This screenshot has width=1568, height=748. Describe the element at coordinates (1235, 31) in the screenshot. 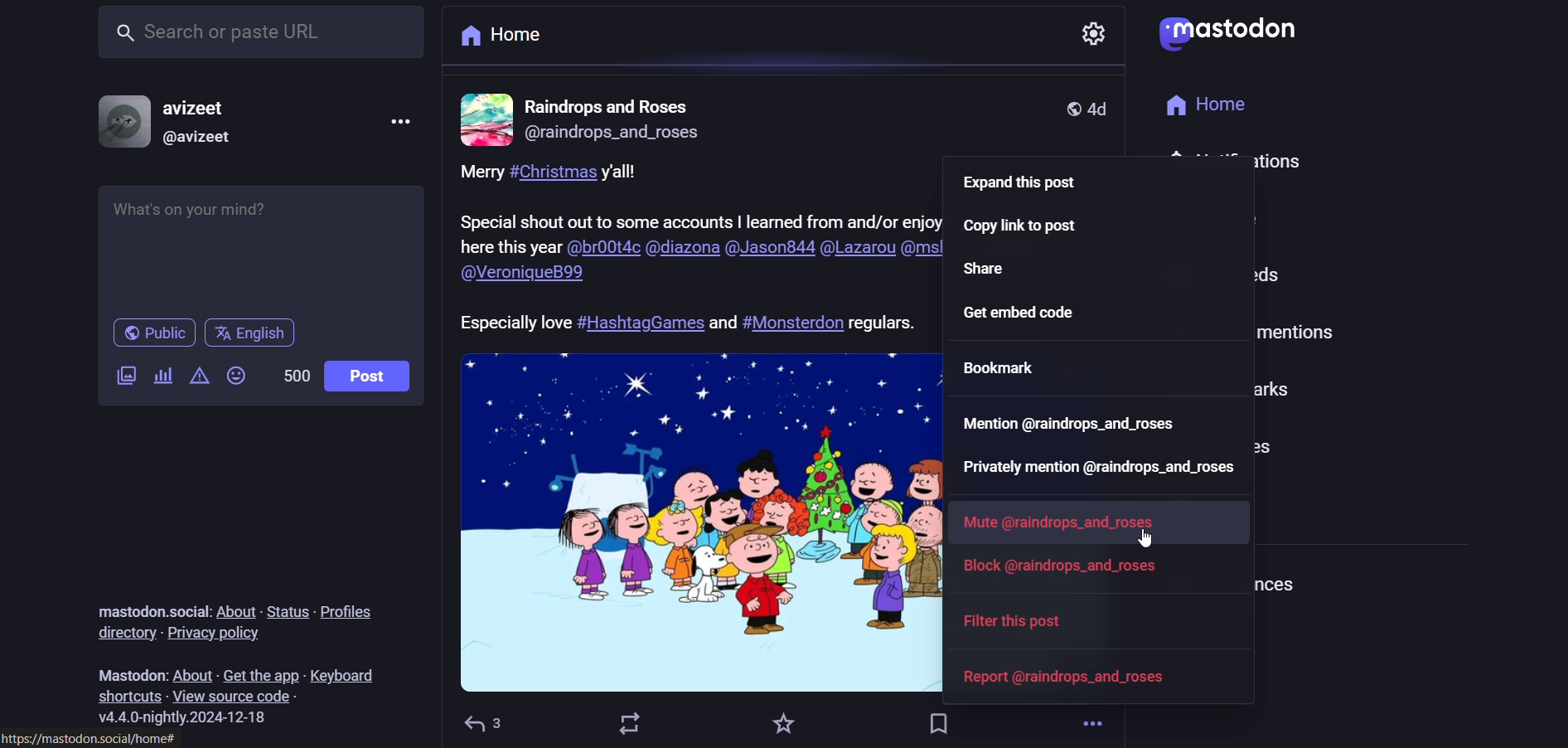

I see `logo` at that location.